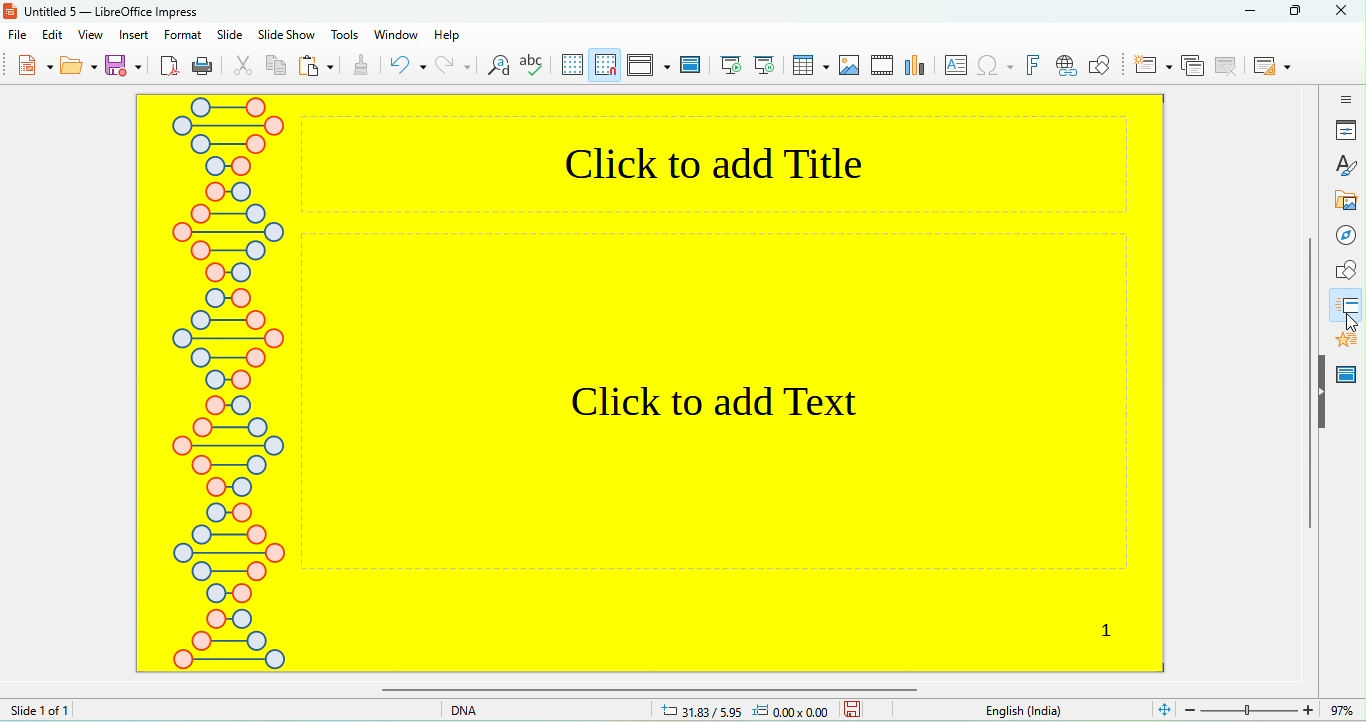 The width and height of the screenshot is (1366, 722). Describe the element at coordinates (395, 38) in the screenshot. I see `window` at that location.